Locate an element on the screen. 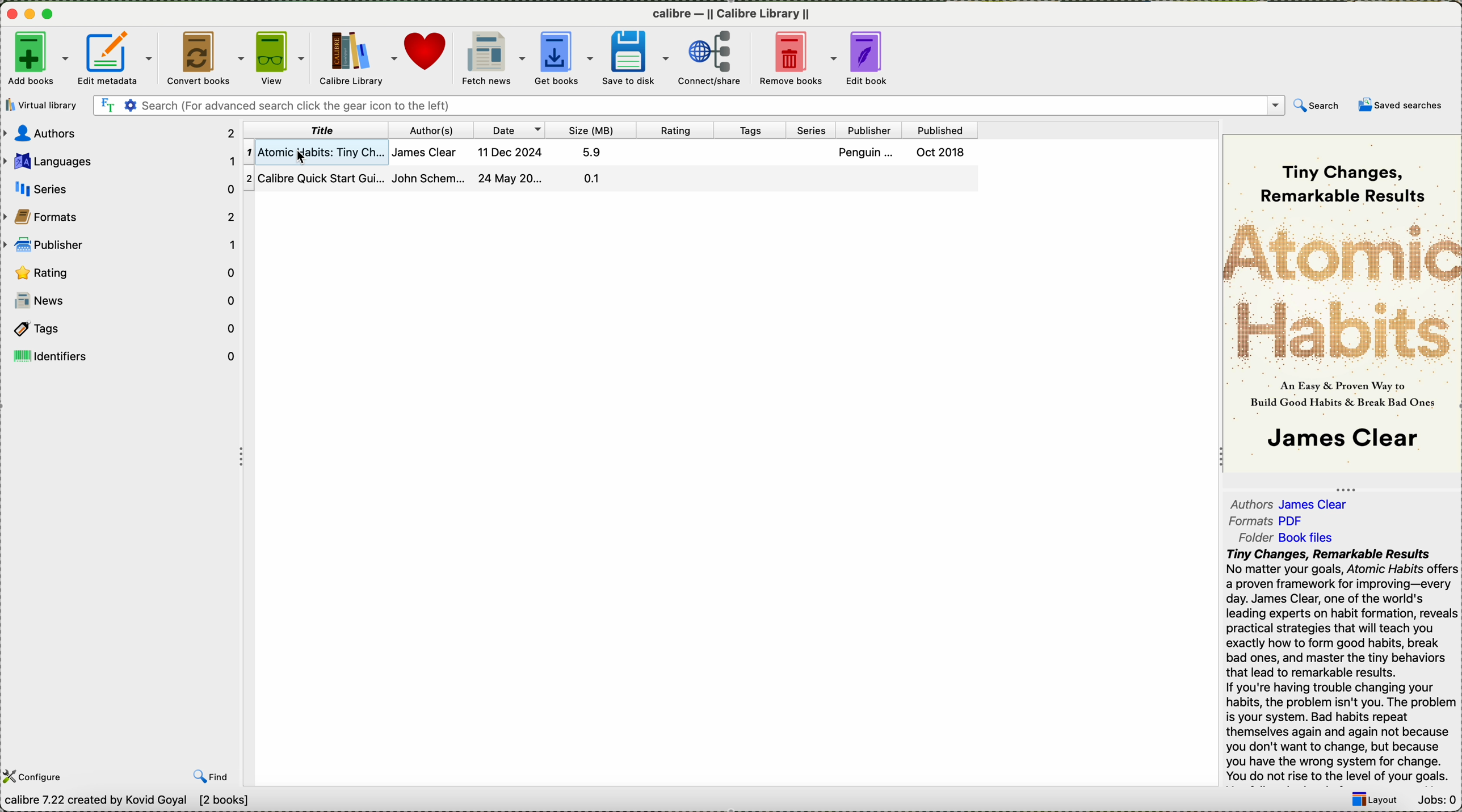 Image resolution: width=1462 pixels, height=812 pixels. date is located at coordinates (511, 131).